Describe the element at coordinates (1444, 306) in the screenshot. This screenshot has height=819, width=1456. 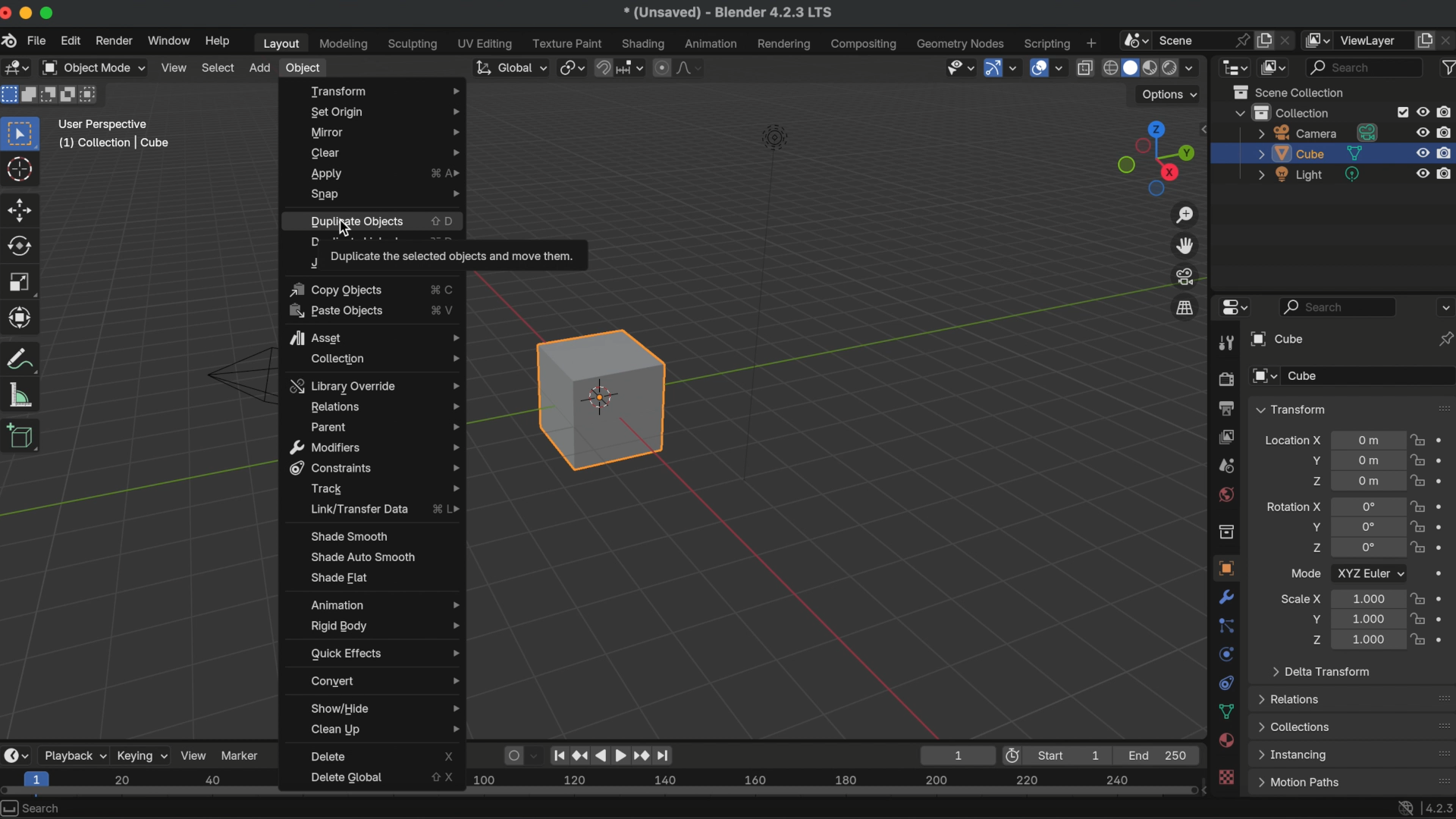
I see `options` at that location.